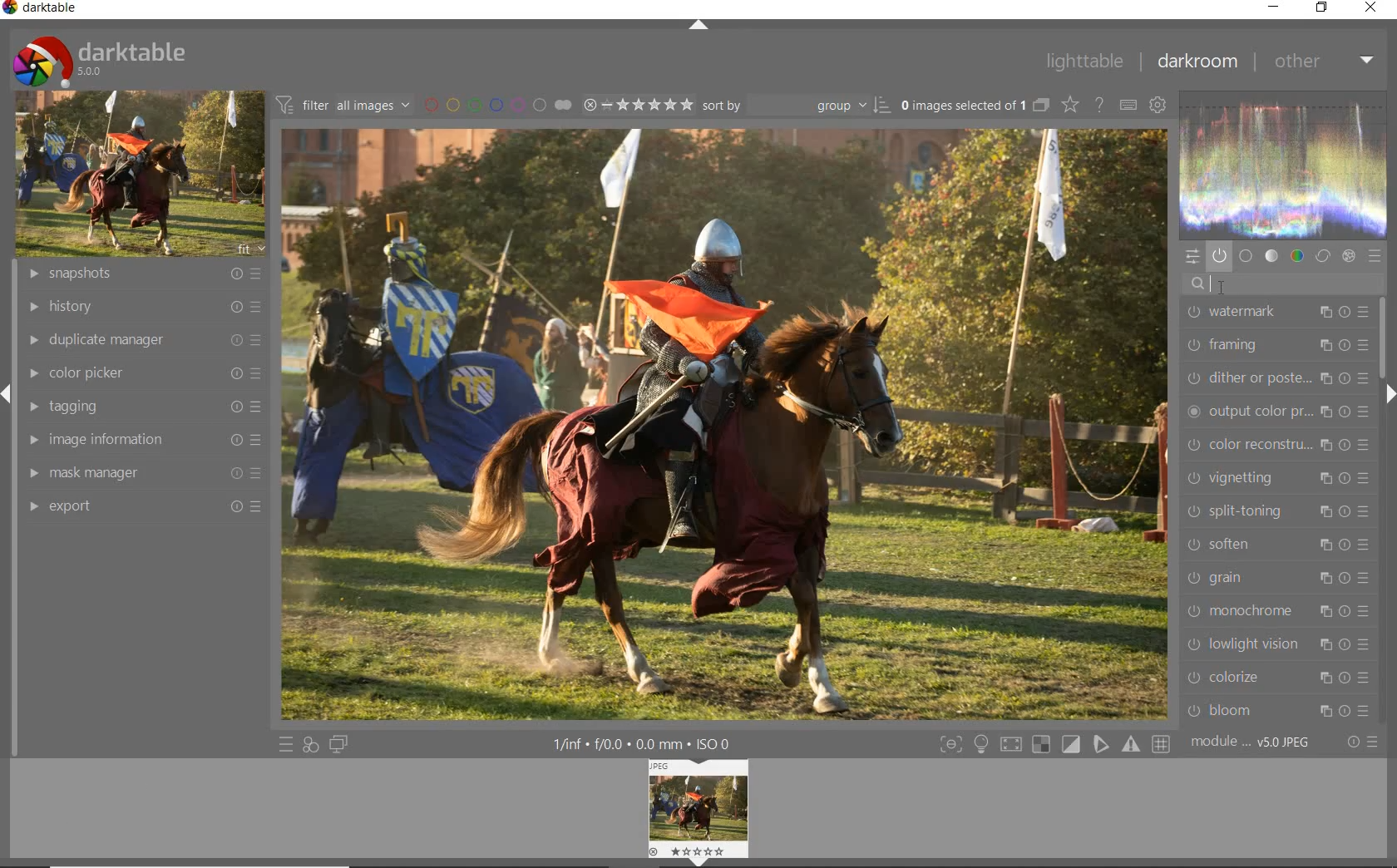 Image resolution: width=1397 pixels, height=868 pixels. Describe the element at coordinates (141, 407) in the screenshot. I see `tagging` at that location.